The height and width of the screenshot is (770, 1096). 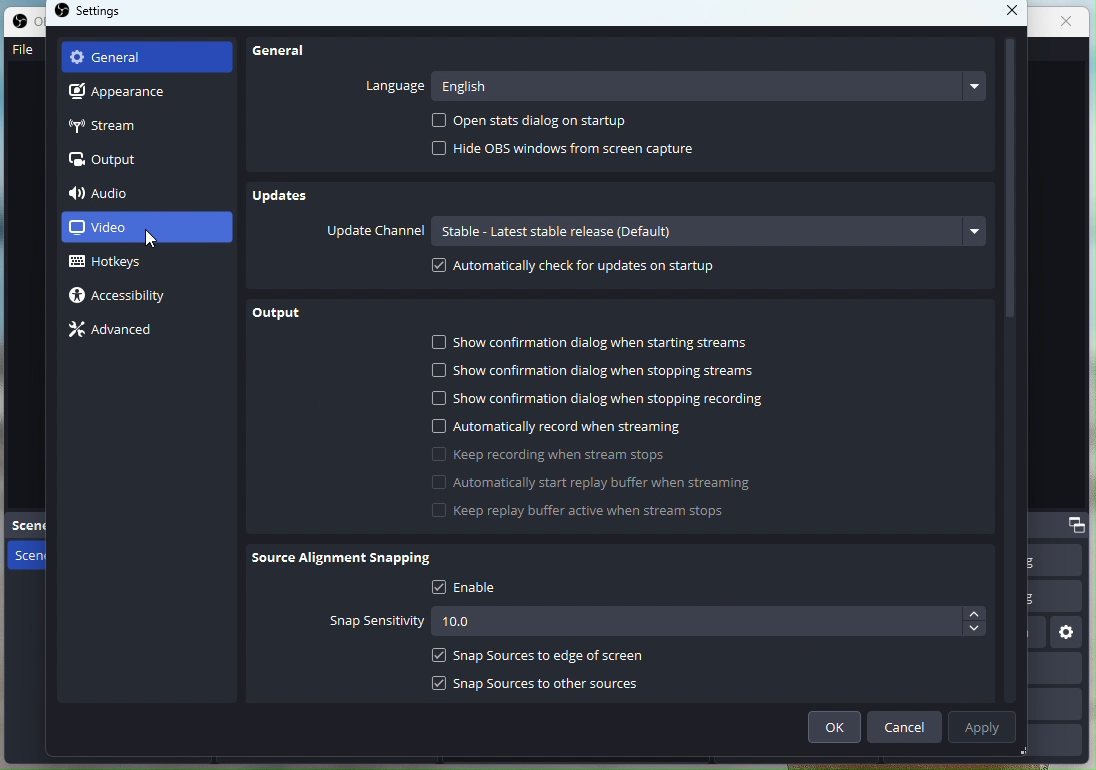 What do you see at coordinates (555, 455) in the screenshot?
I see `Keep recording when stream stops` at bounding box center [555, 455].